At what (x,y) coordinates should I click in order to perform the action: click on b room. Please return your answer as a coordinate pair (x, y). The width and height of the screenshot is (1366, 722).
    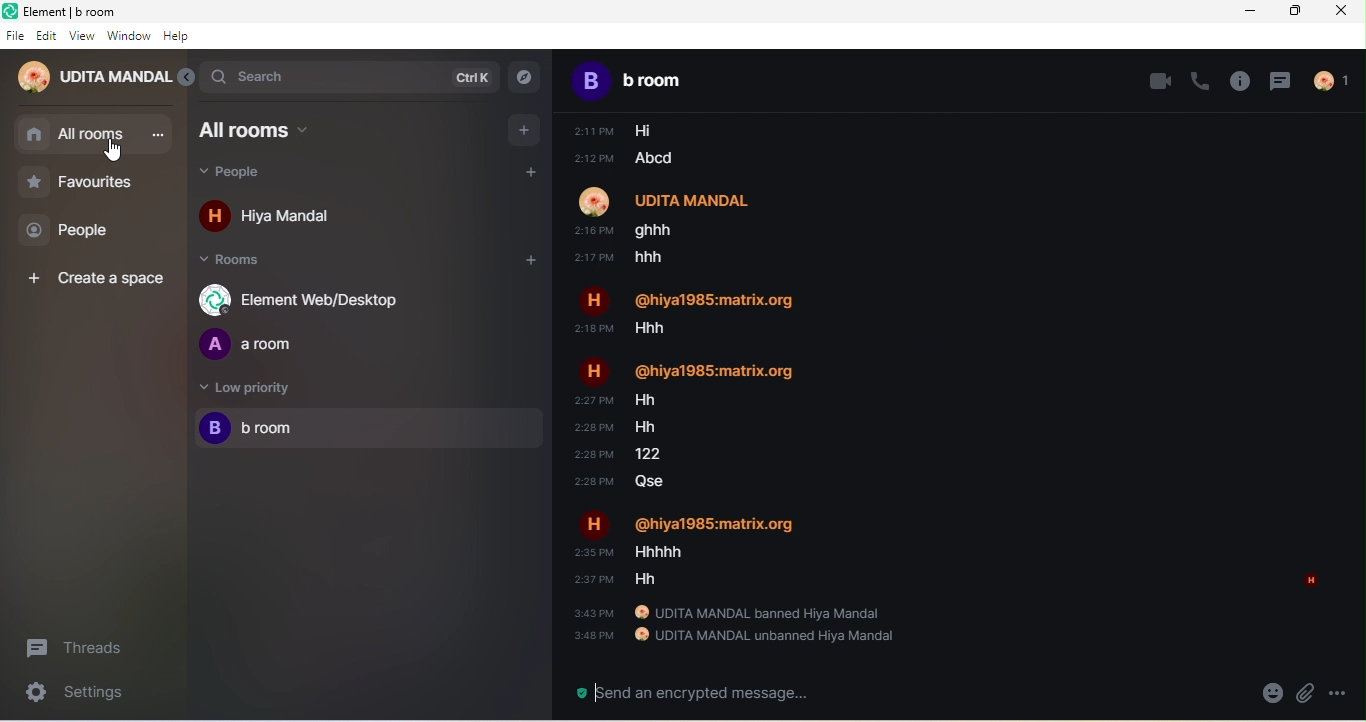
    Looking at the image, I should click on (370, 430).